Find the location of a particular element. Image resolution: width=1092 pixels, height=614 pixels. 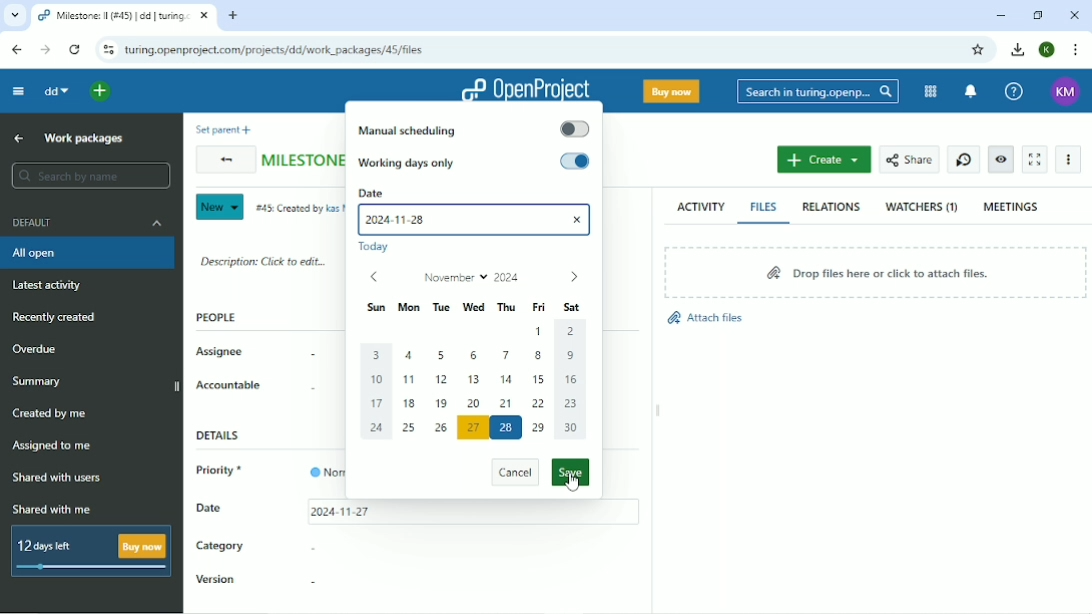

November 2024 is located at coordinates (473, 277).